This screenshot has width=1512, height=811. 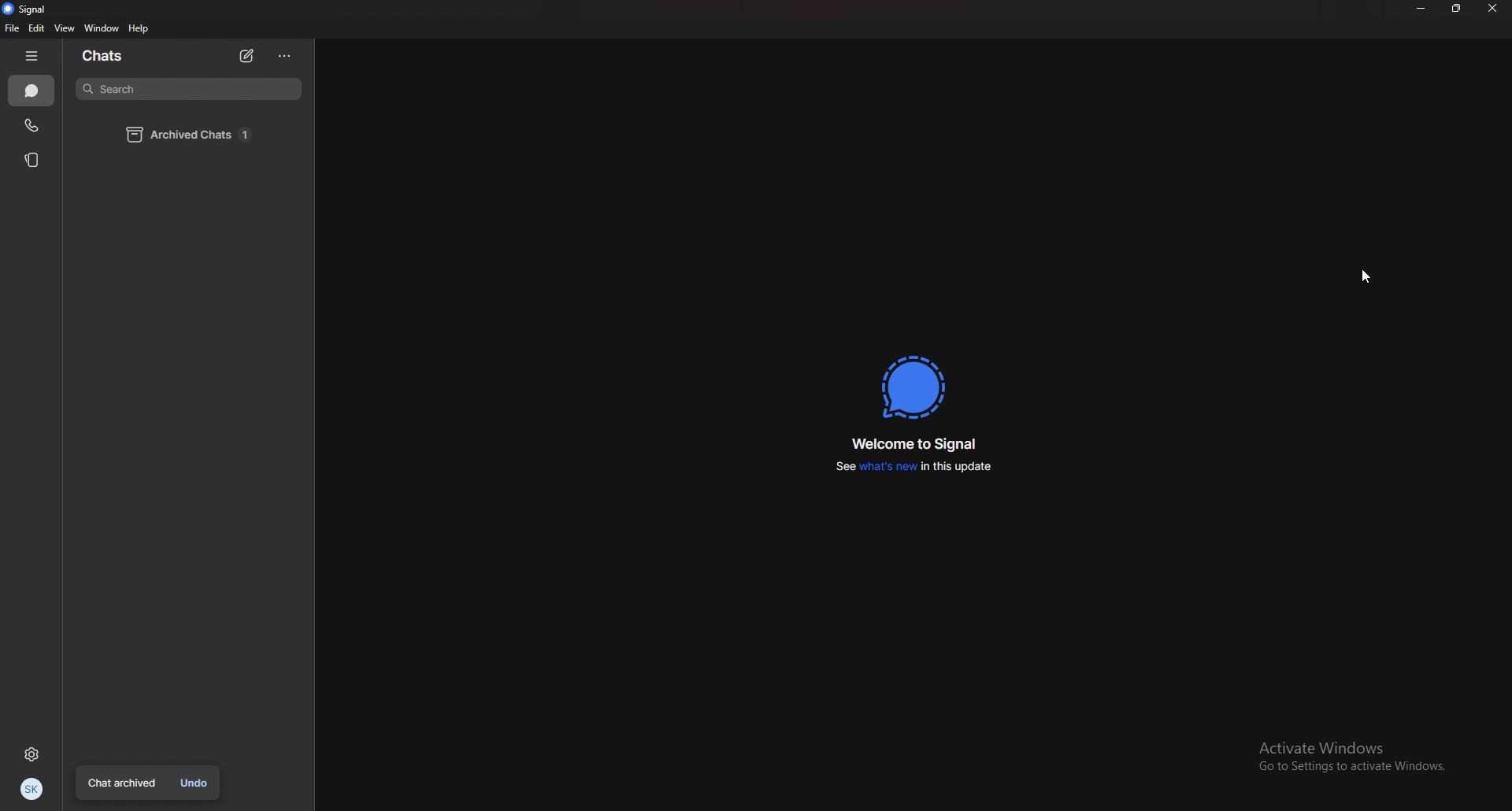 I want to click on Call, so click(x=31, y=125).